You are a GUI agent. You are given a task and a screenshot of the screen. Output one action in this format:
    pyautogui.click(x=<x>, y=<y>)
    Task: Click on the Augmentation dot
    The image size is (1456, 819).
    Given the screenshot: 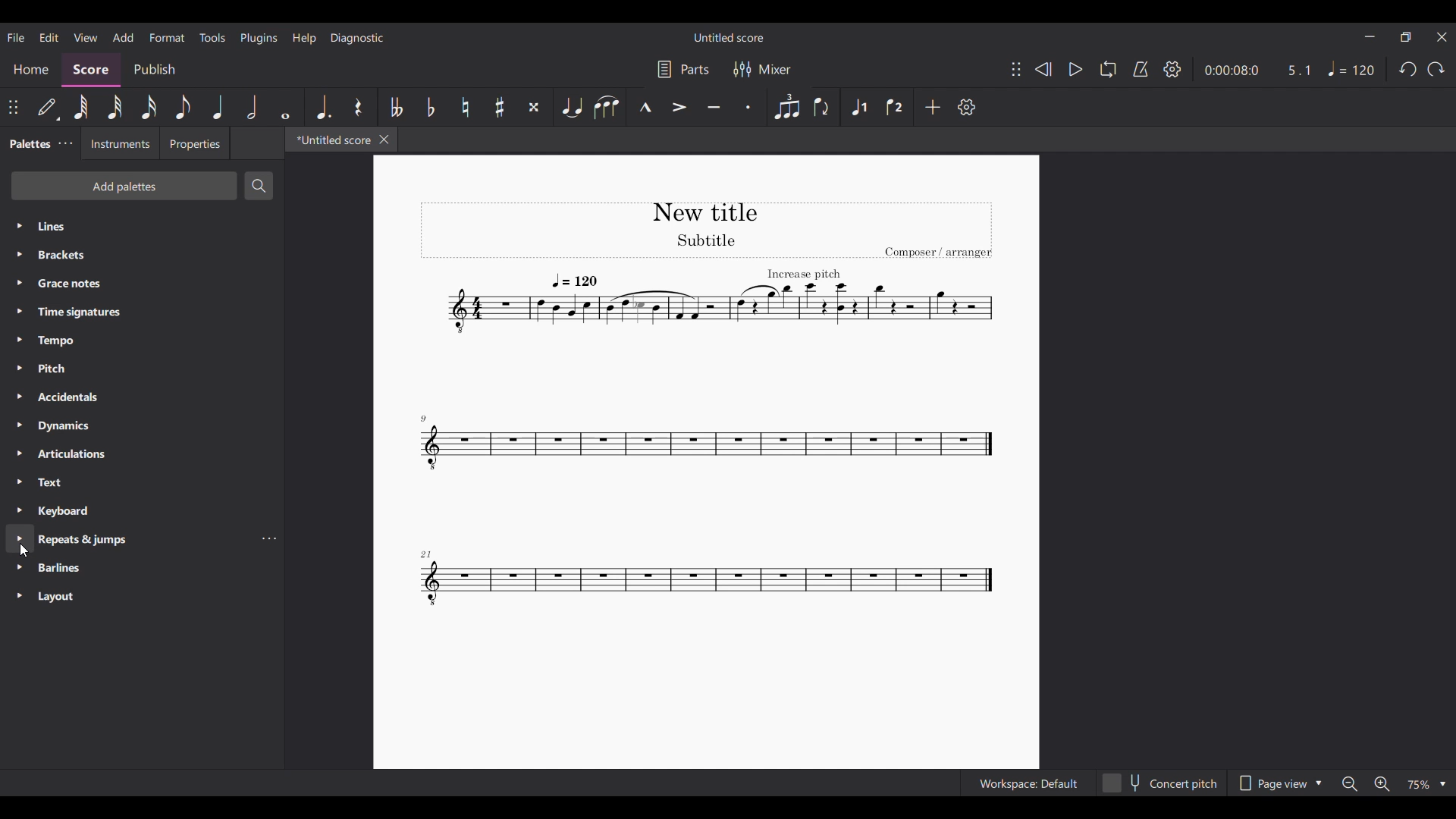 What is the action you would take?
    pyautogui.click(x=323, y=107)
    